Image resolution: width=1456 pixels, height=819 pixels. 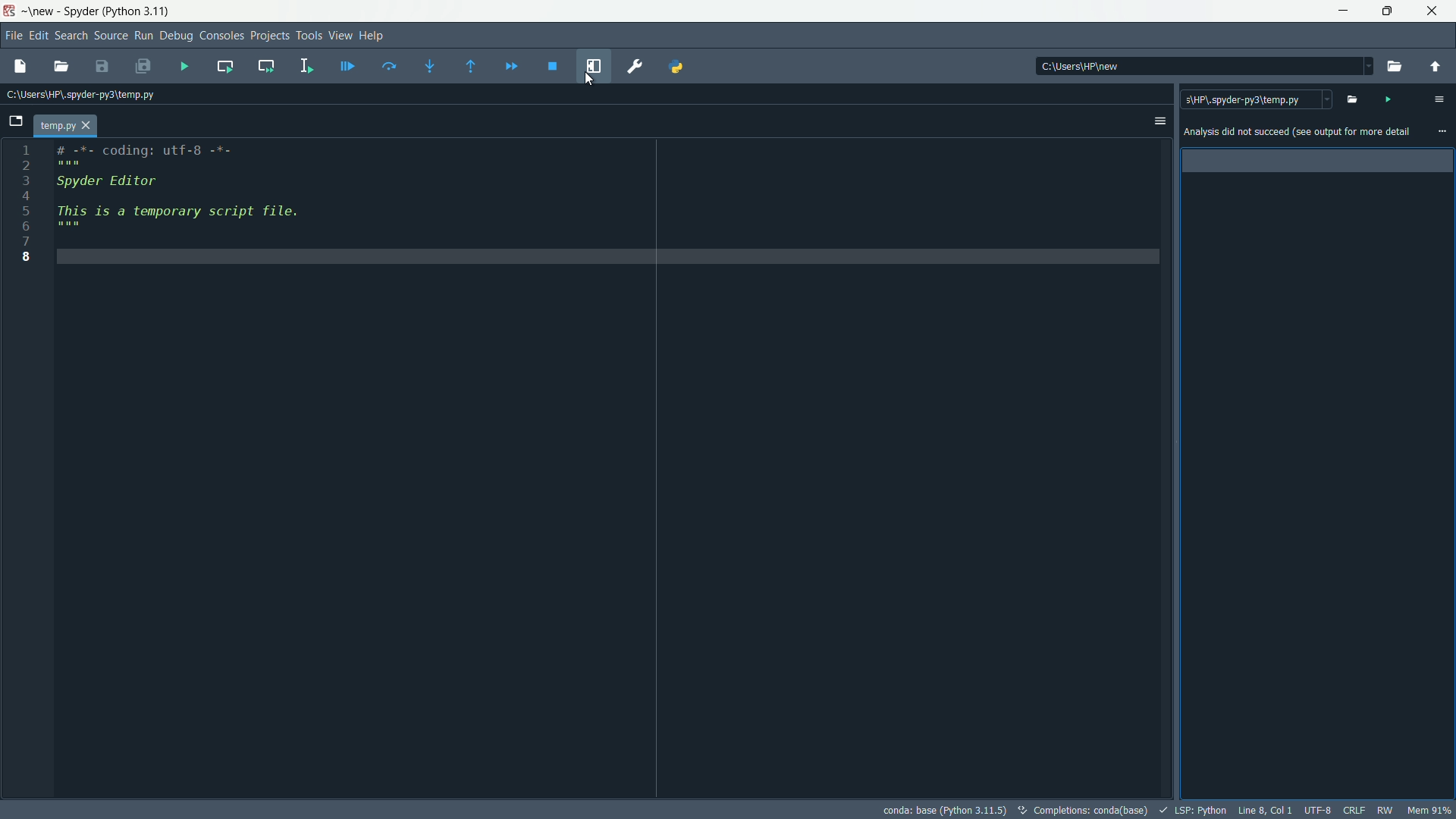 I want to click on tools menu, so click(x=310, y=36).